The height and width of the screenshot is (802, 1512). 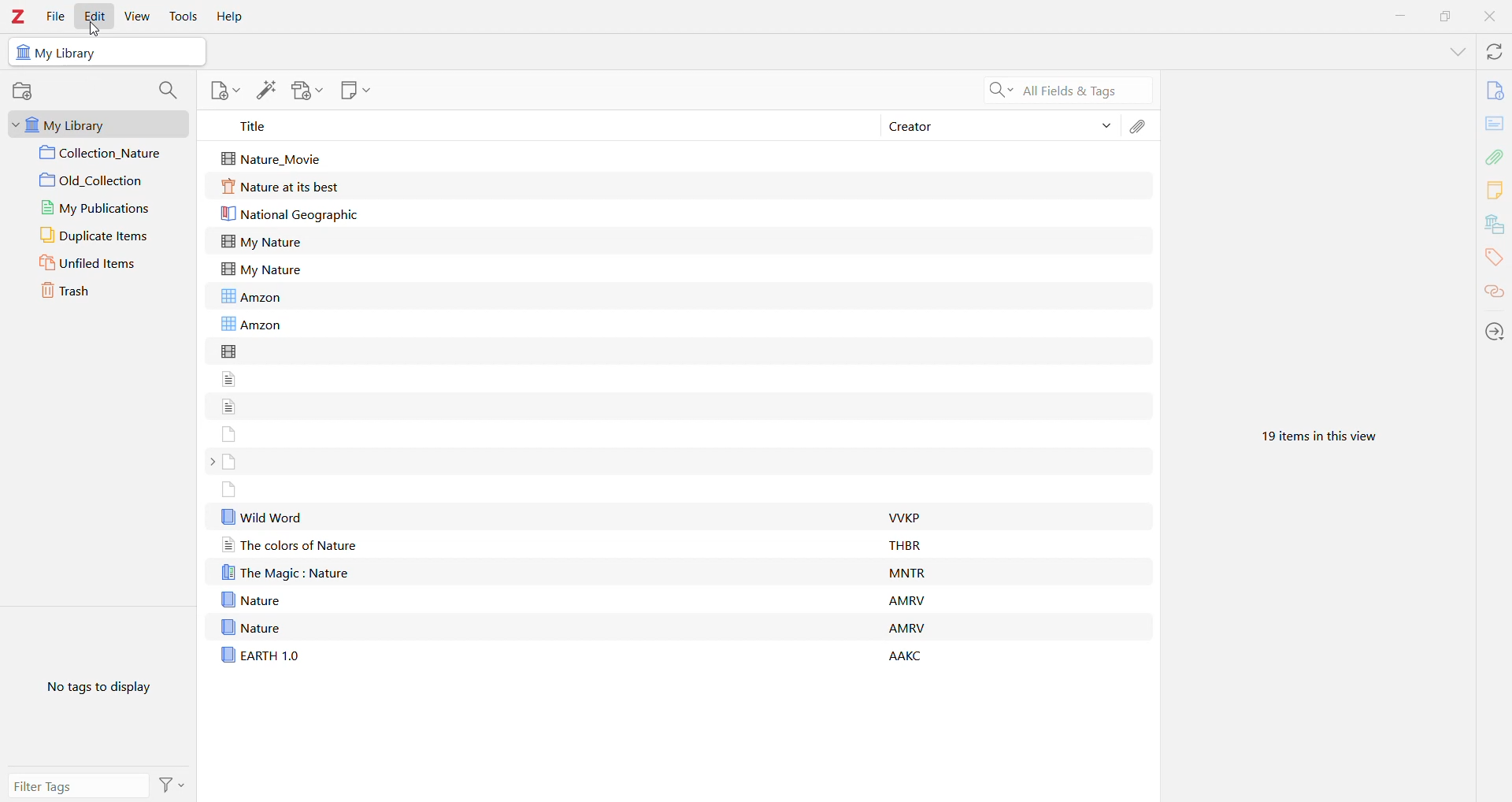 I want to click on Locate, so click(x=1494, y=330).